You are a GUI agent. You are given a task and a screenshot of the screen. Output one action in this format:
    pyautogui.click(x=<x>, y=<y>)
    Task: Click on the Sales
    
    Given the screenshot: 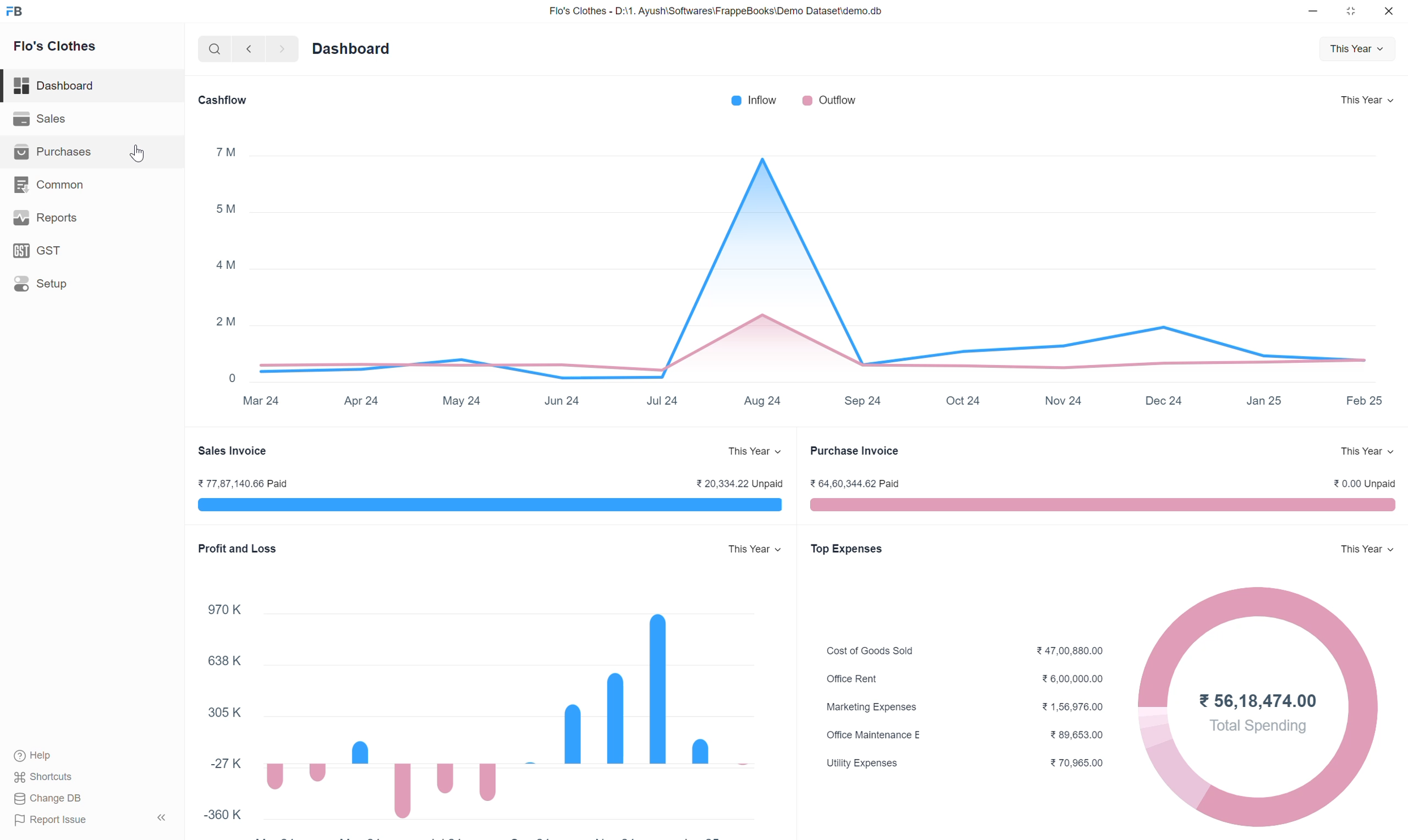 What is the action you would take?
    pyautogui.click(x=42, y=118)
    